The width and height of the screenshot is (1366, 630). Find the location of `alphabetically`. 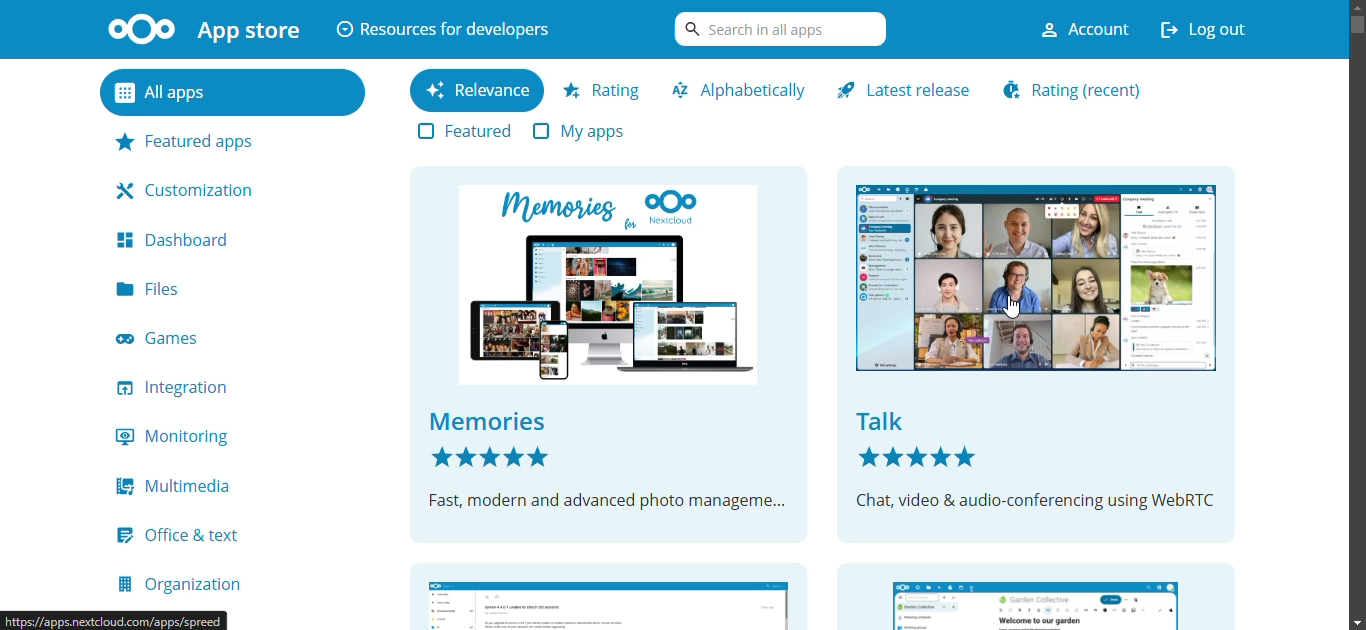

alphabetically is located at coordinates (741, 89).